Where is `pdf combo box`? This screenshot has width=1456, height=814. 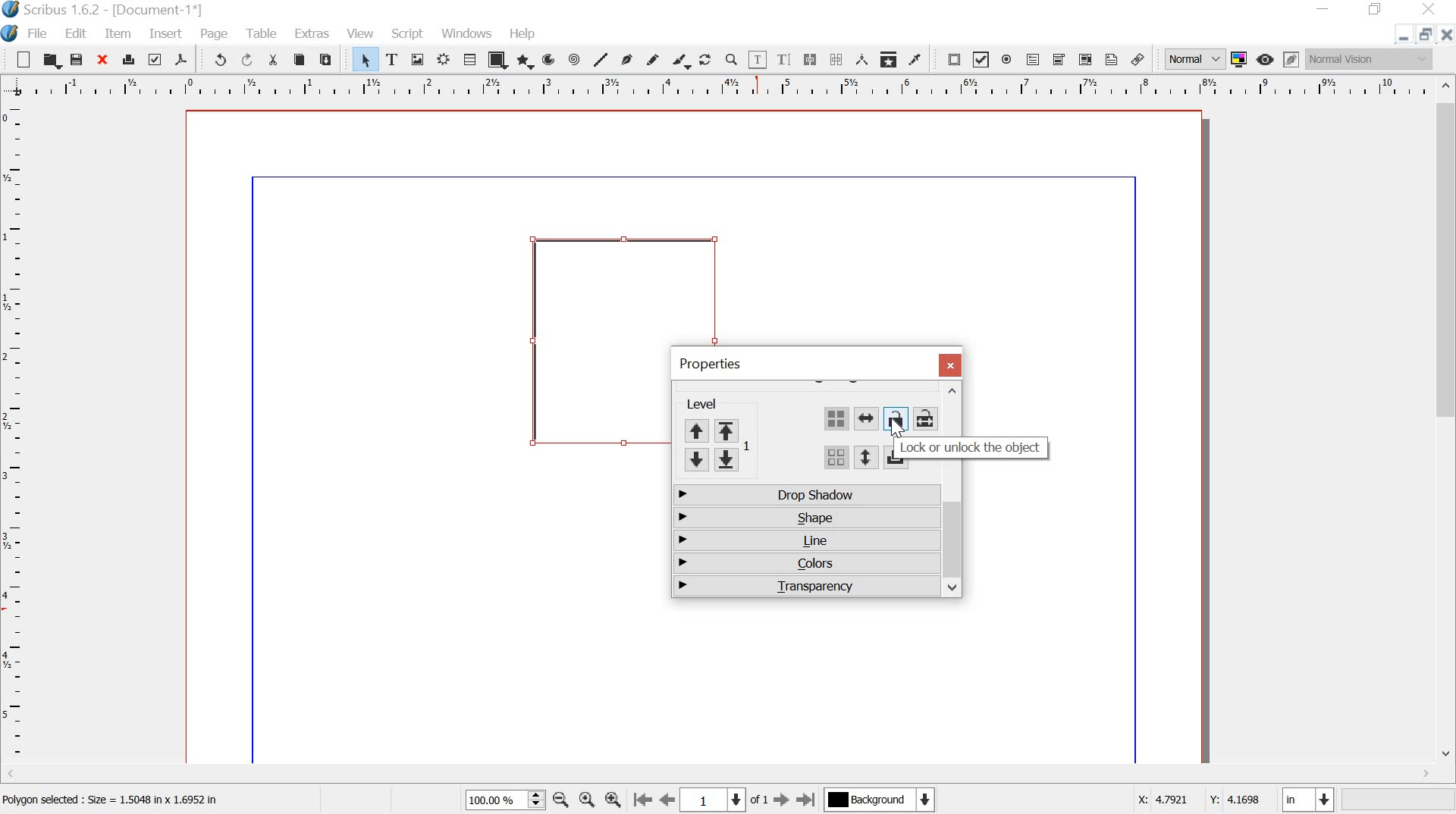 pdf combo box is located at coordinates (1060, 61).